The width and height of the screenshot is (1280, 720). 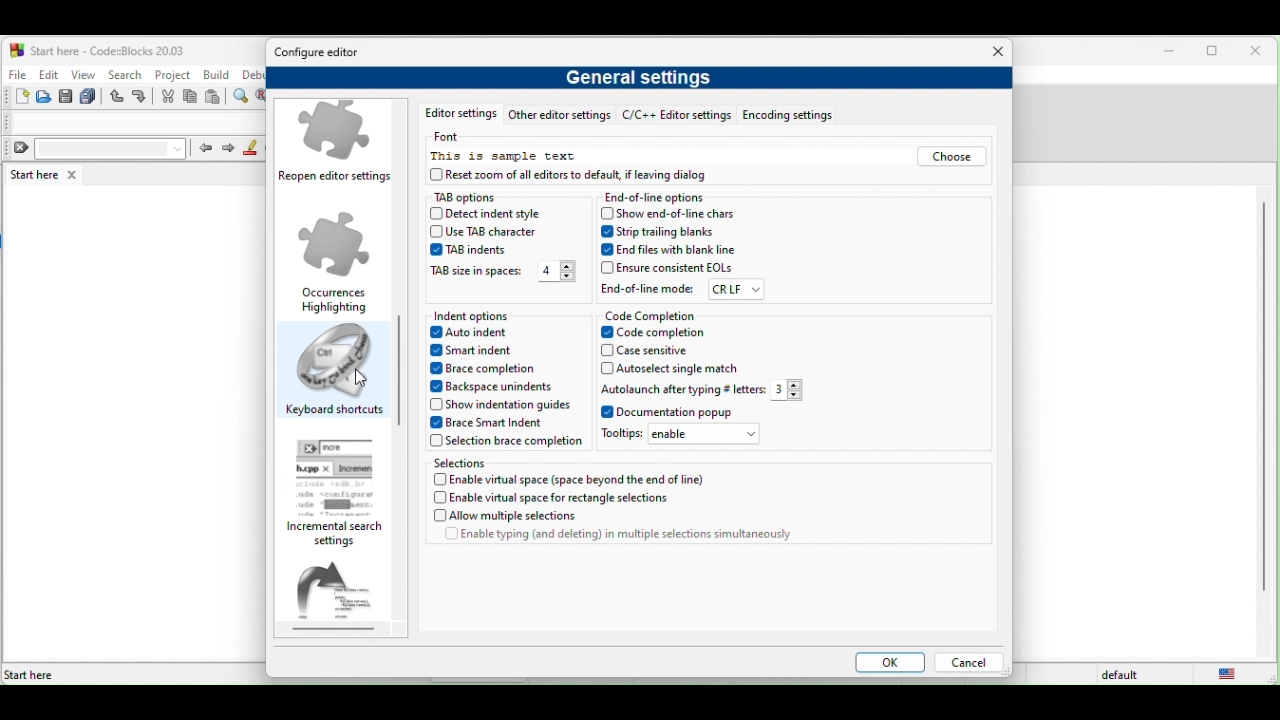 I want to click on ensure consistent eols, so click(x=667, y=268).